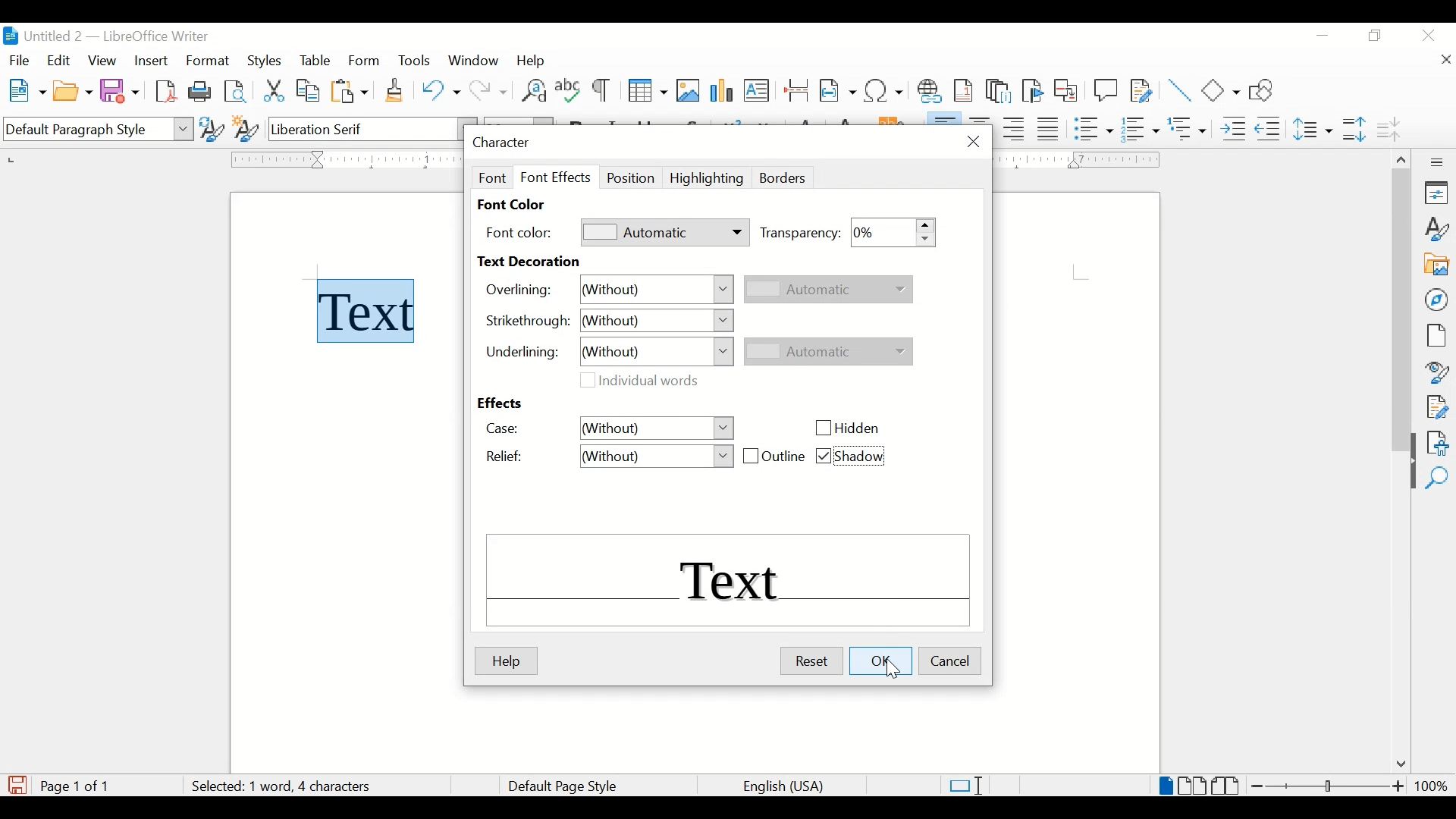  What do you see at coordinates (648, 90) in the screenshot?
I see `insert table` at bounding box center [648, 90].